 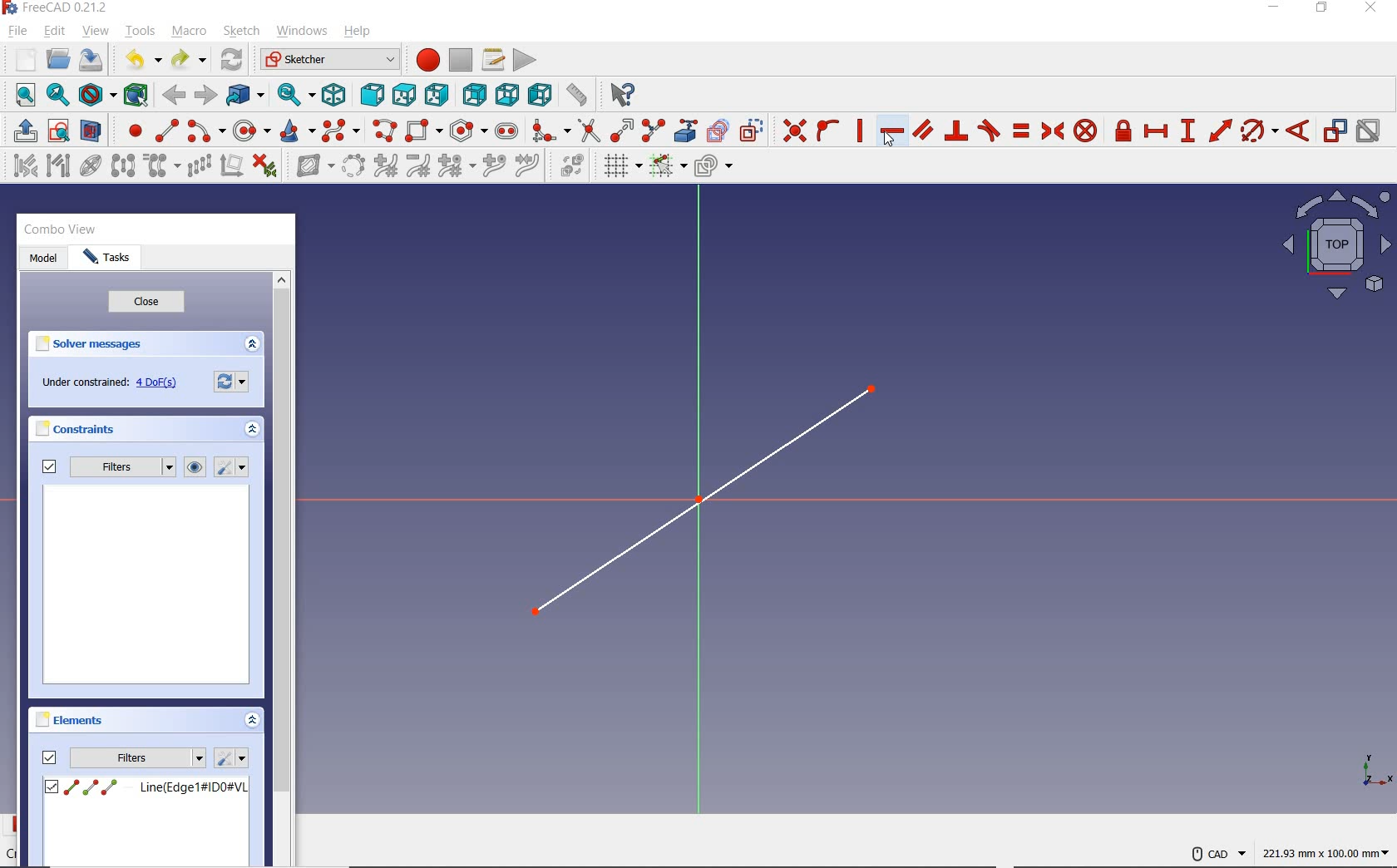 I want to click on MACRO RECORDING, so click(x=428, y=59).